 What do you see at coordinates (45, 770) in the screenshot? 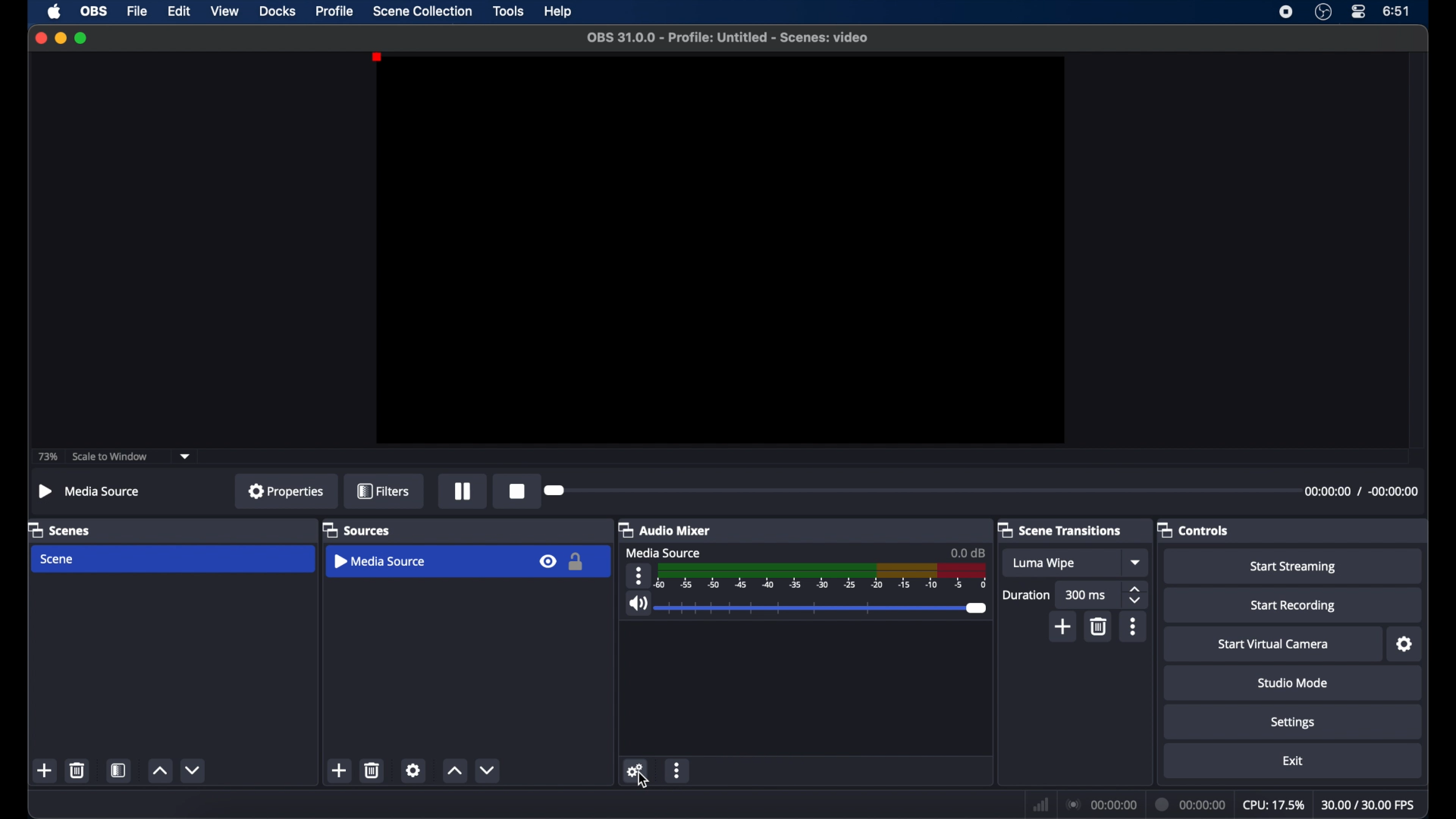
I see `add` at bounding box center [45, 770].